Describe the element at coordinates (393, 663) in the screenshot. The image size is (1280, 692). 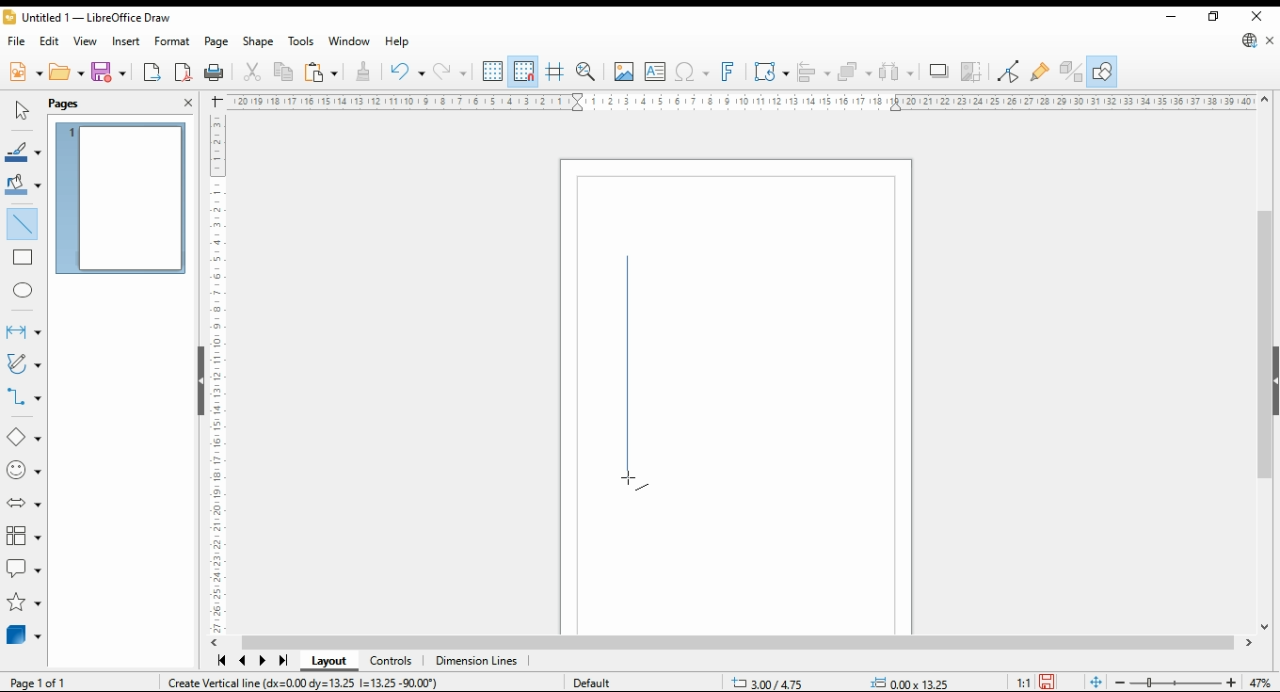
I see `controls` at that location.